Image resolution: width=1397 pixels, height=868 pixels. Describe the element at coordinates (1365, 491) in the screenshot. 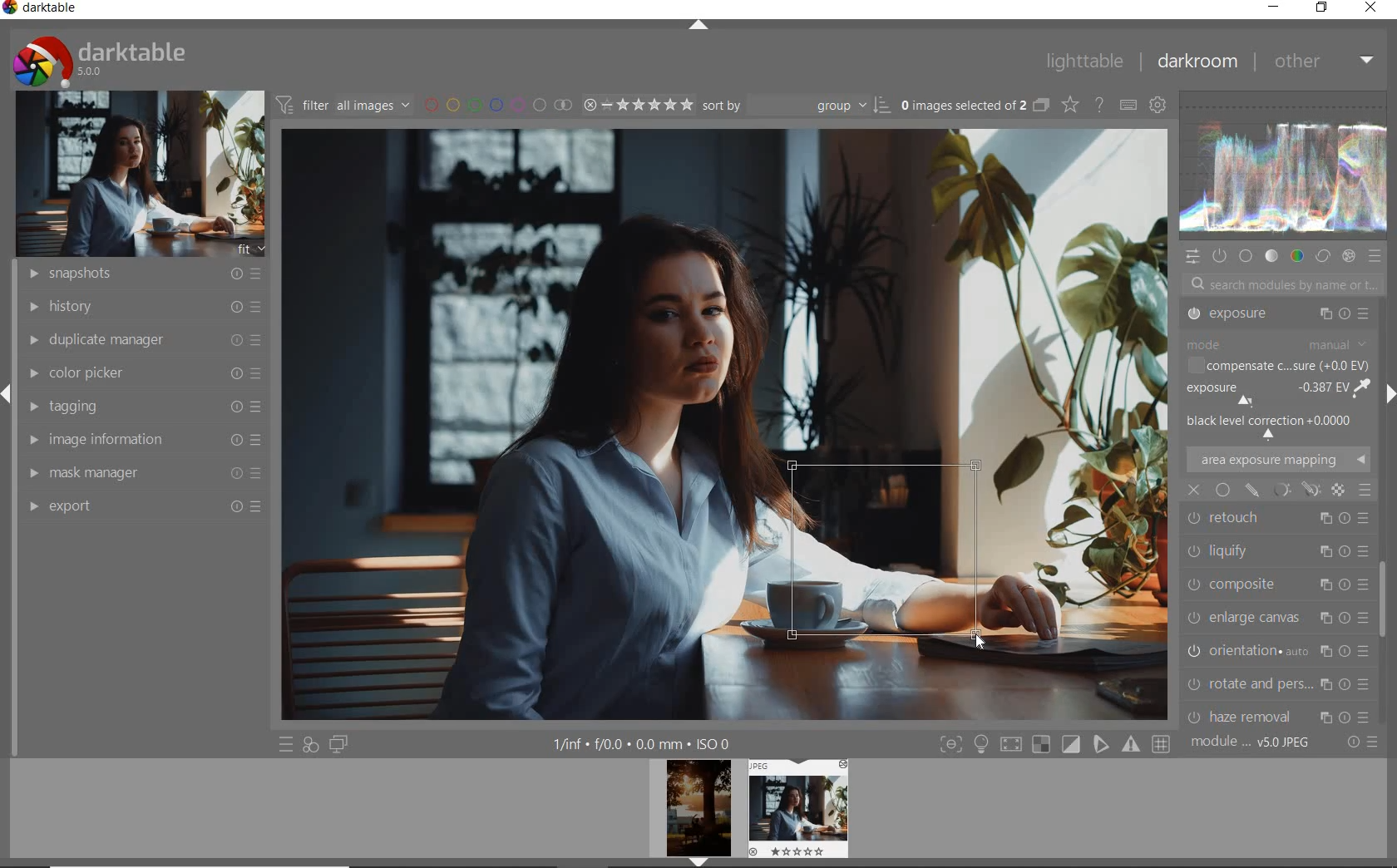

I see `blending options` at that location.